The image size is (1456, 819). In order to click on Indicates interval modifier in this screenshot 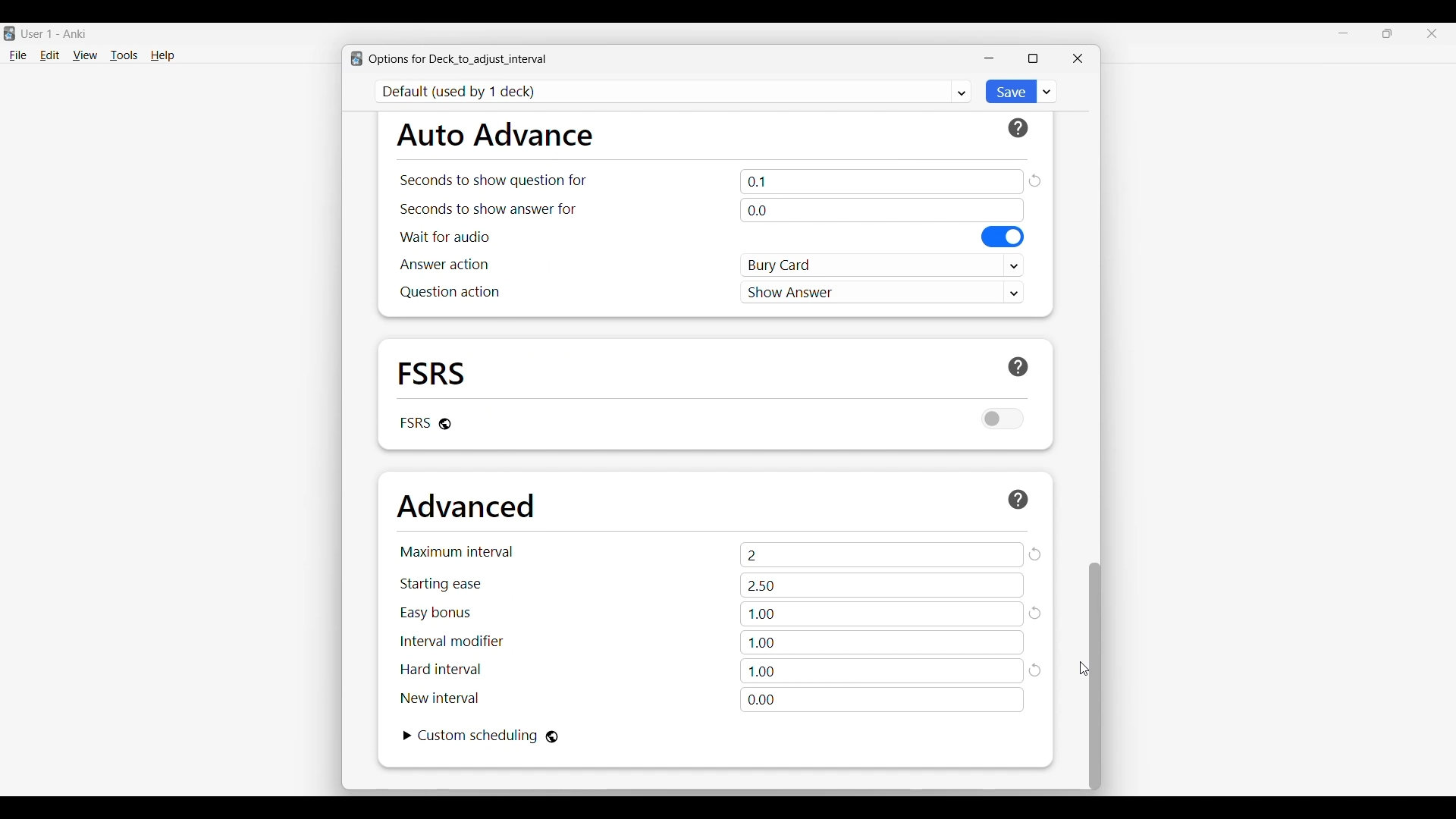, I will do `click(452, 641)`.